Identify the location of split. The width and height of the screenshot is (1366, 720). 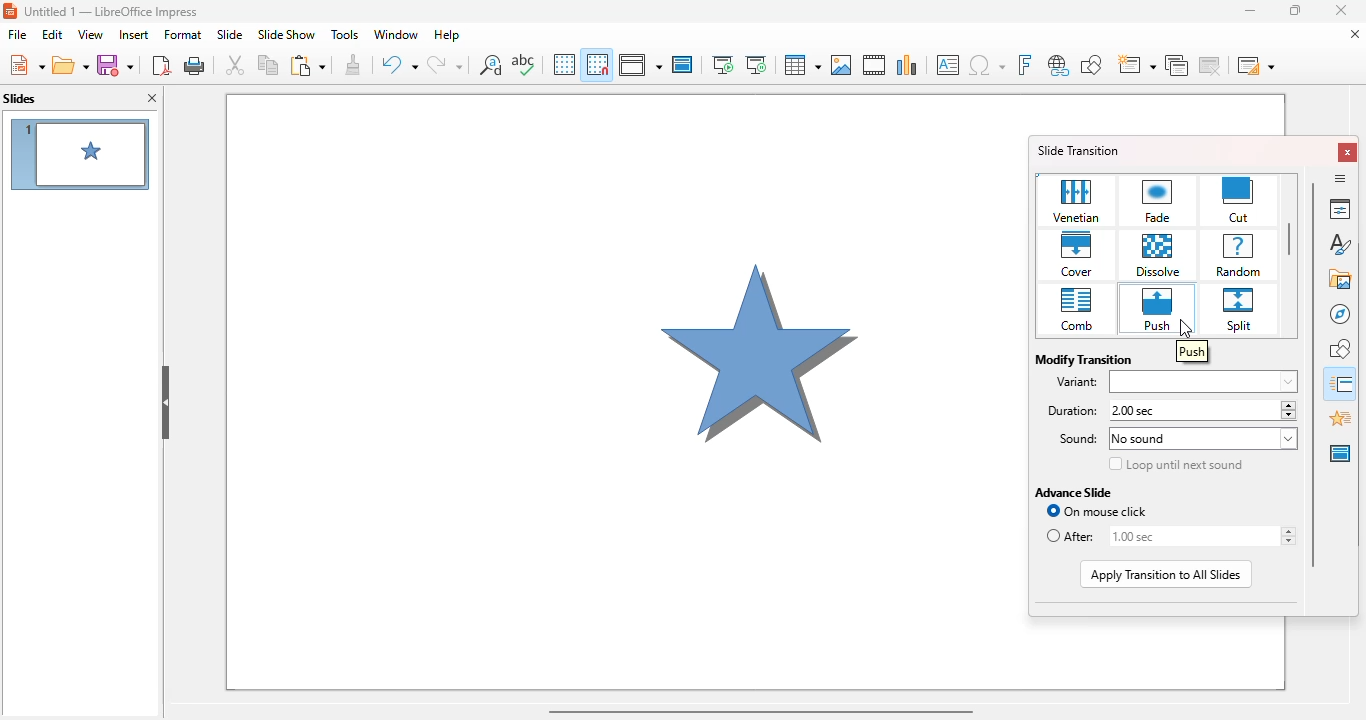
(1238, 309).